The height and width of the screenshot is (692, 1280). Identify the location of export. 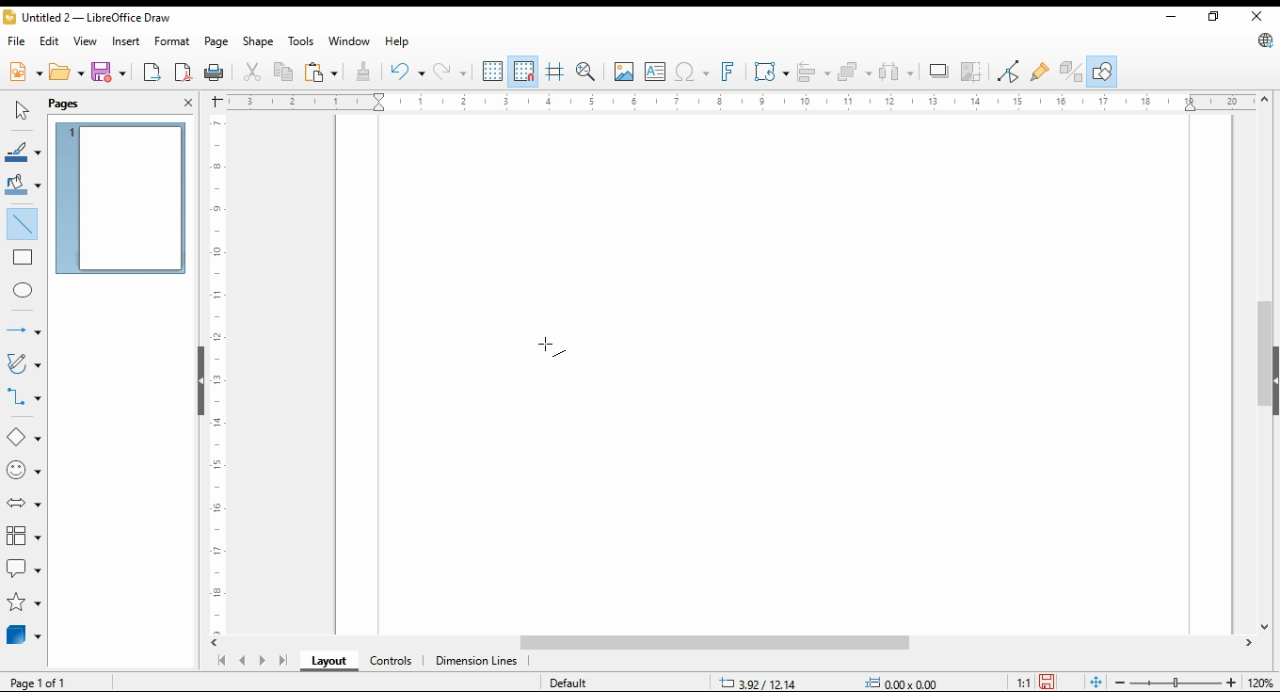
(153, 71).